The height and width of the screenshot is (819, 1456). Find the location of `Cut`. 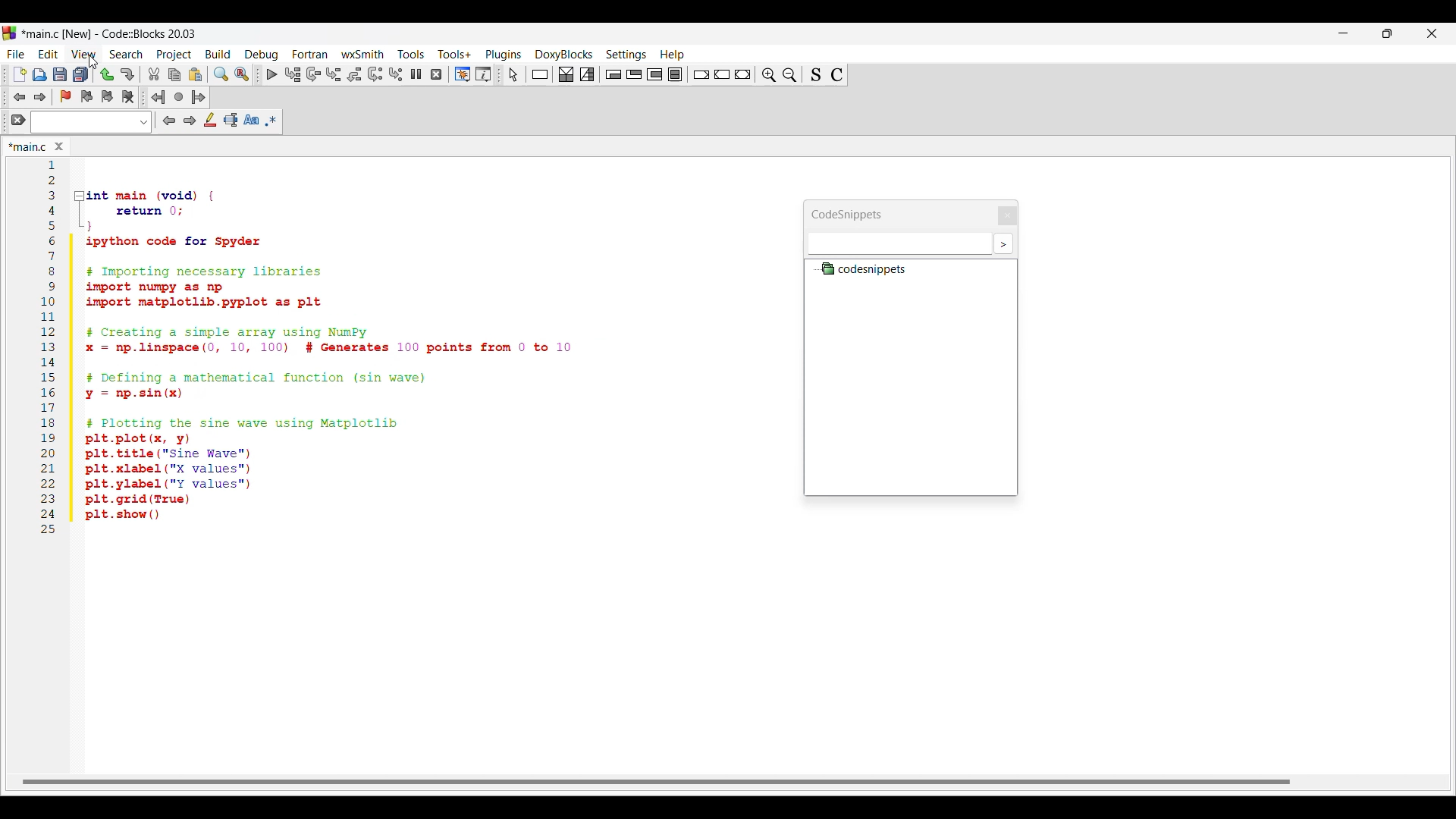

Cut is located at coordinates (154, 74).